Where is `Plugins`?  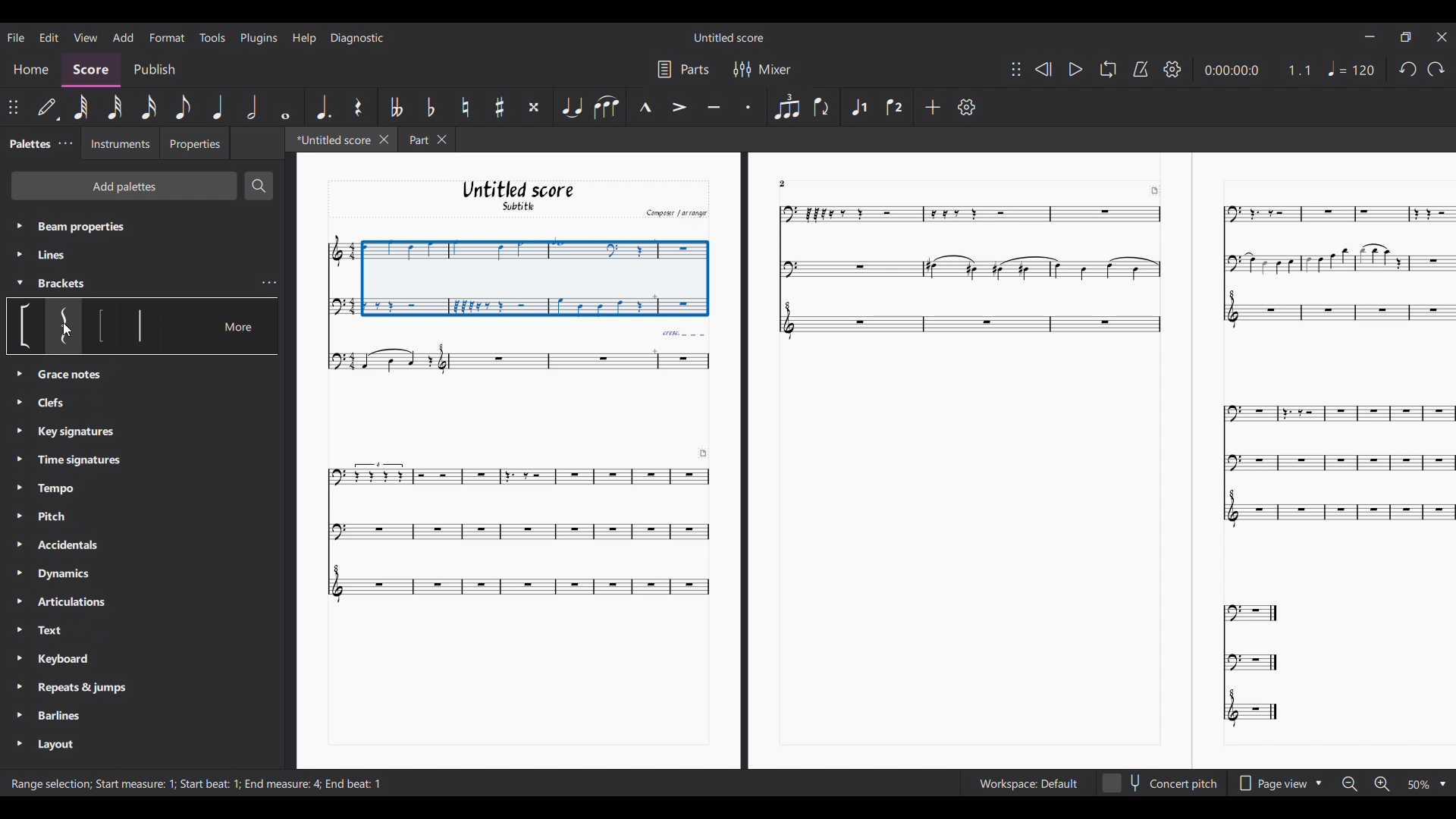 Plugins is located at coordinates (259, 38).